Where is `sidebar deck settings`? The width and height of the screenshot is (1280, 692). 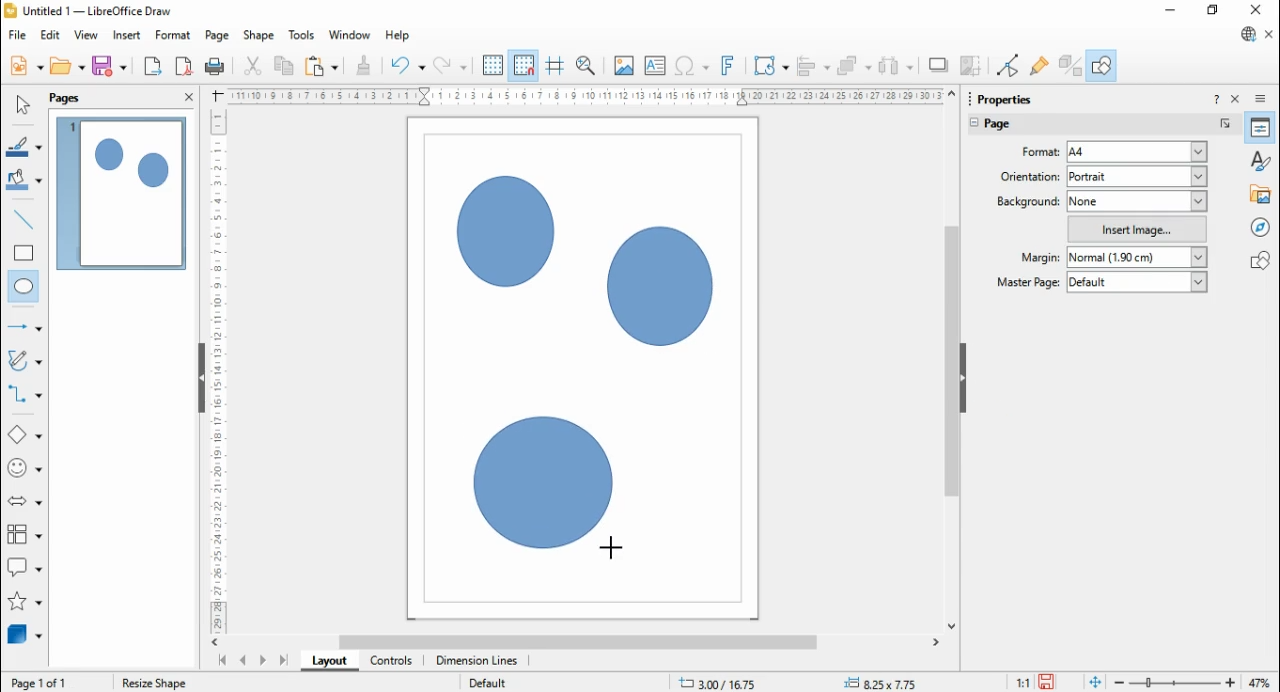
sidebar deck settings is located at coordinates (1262, 99).